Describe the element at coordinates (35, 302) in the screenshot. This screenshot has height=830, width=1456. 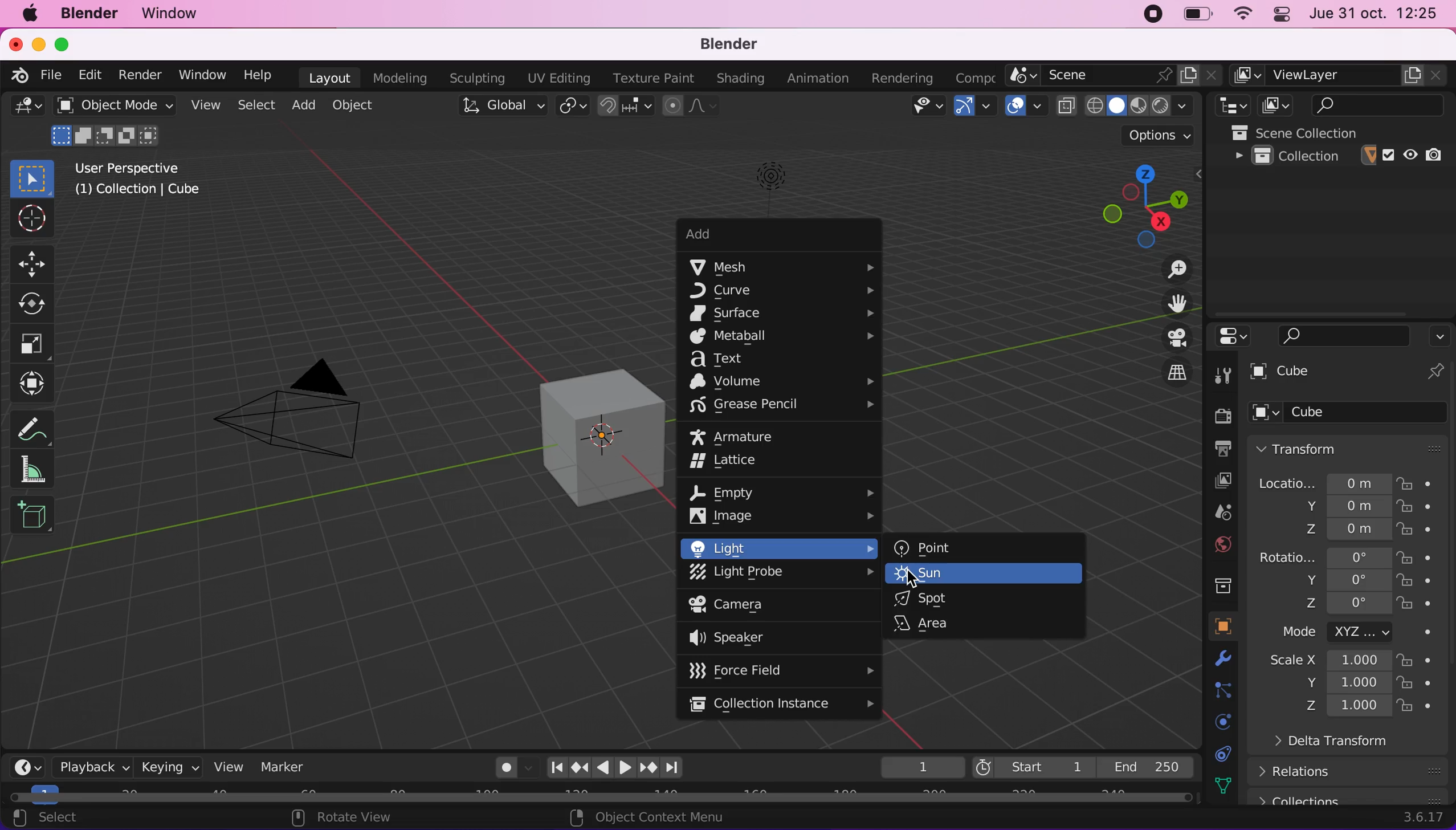
I see `rotate` at that location.